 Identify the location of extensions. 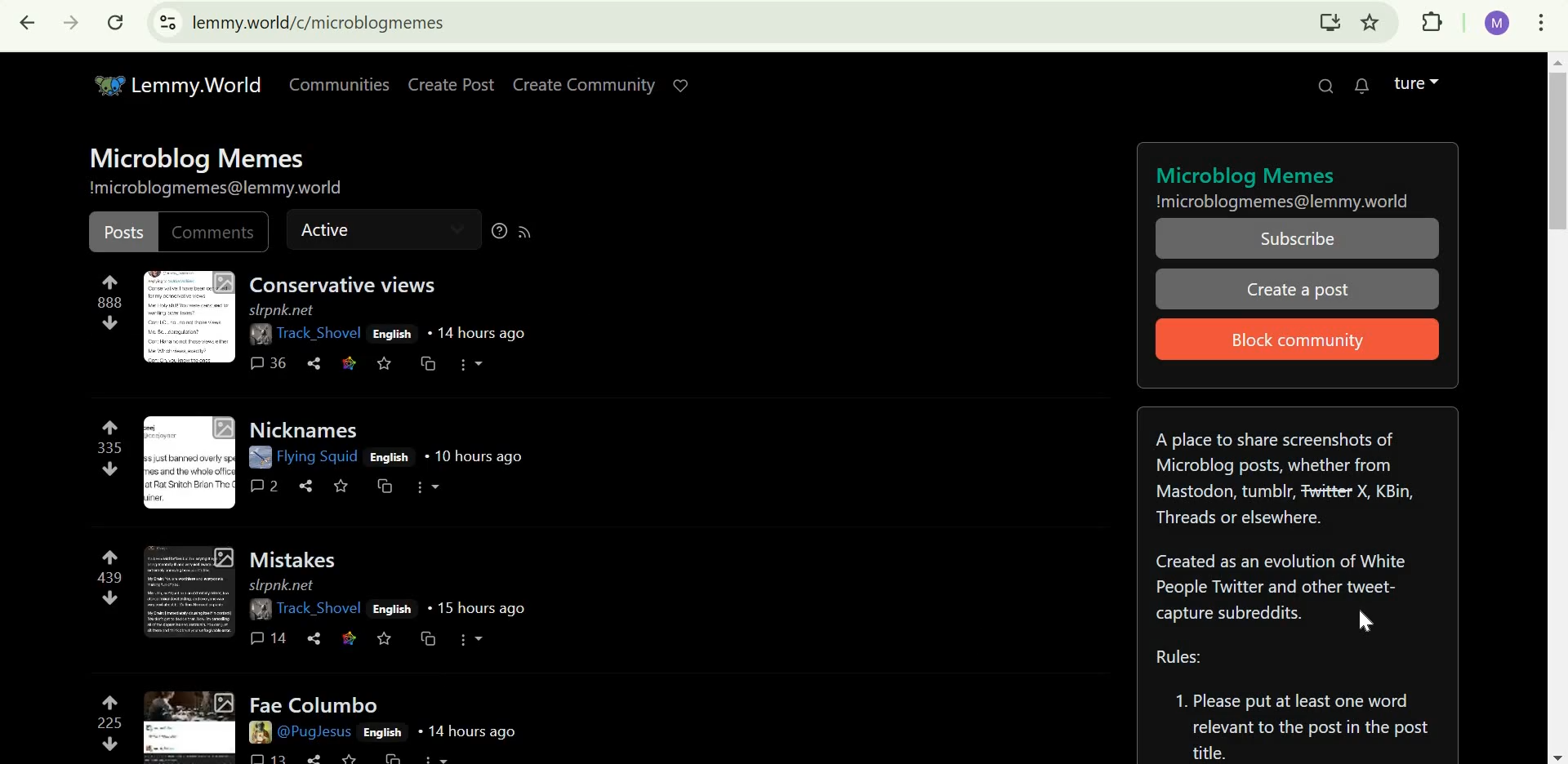
(1429, 20).